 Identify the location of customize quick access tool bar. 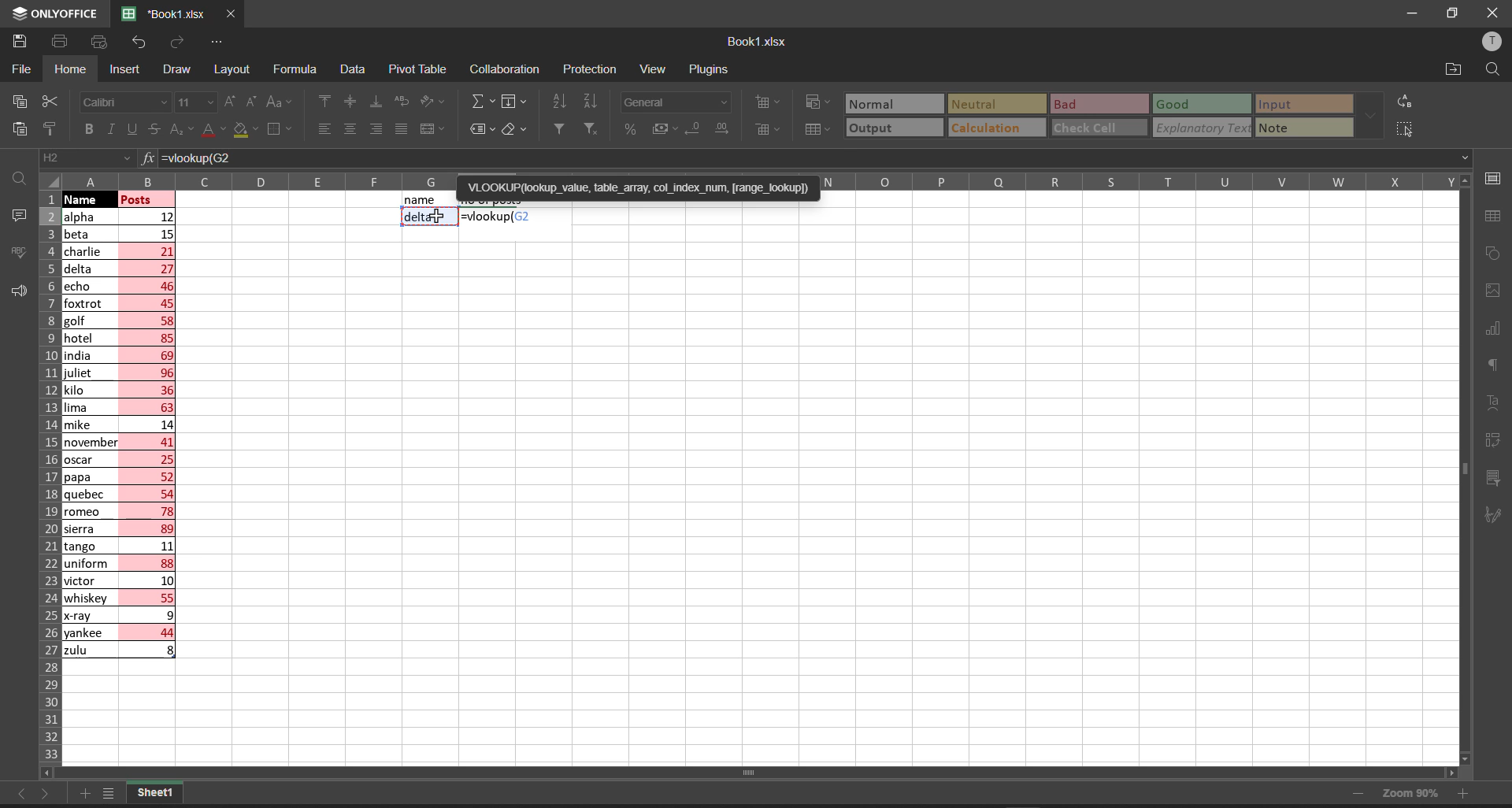
(217, 40).